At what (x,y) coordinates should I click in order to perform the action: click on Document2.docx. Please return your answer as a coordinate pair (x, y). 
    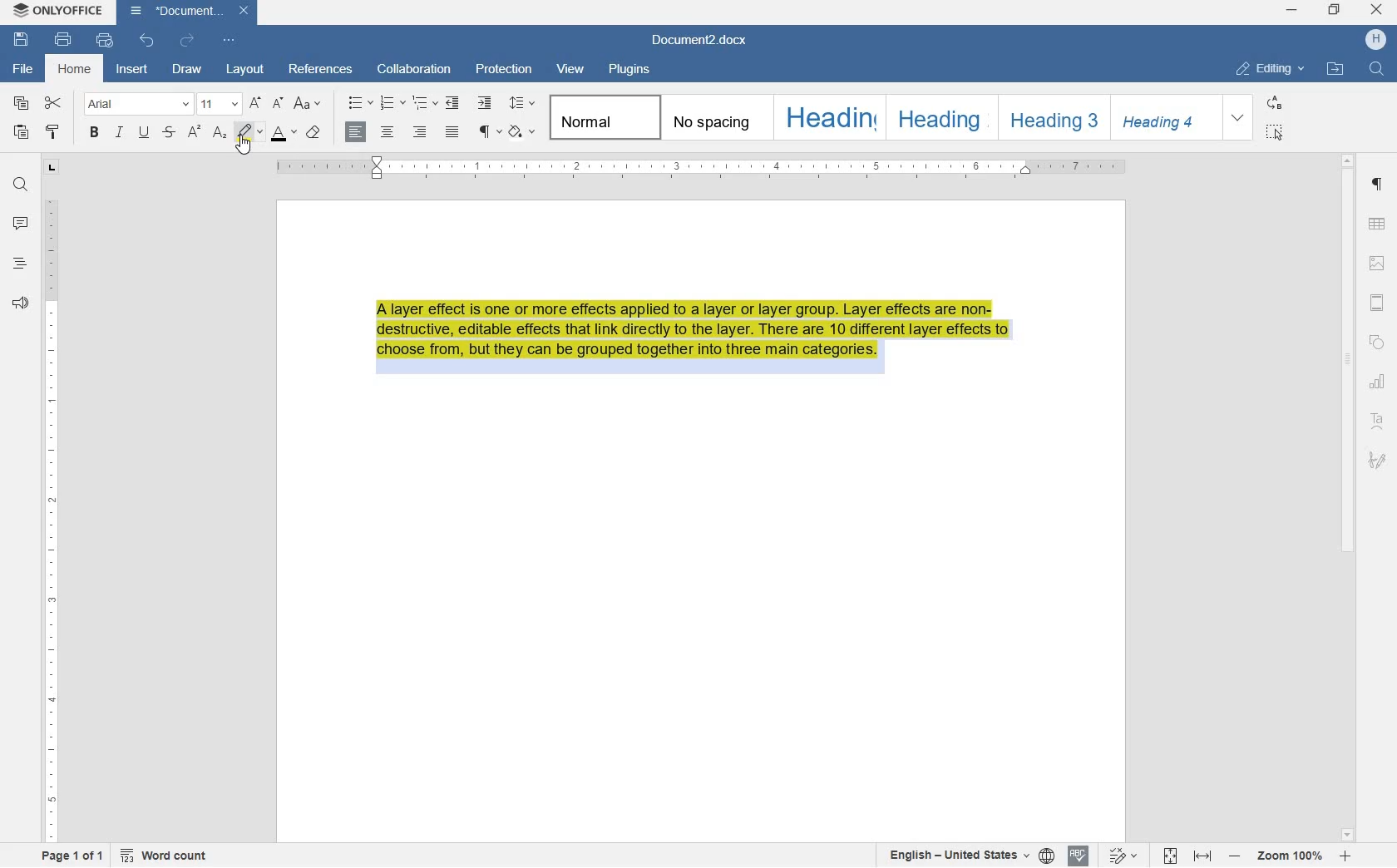
    Looking at the image, I should click on (187, 13).